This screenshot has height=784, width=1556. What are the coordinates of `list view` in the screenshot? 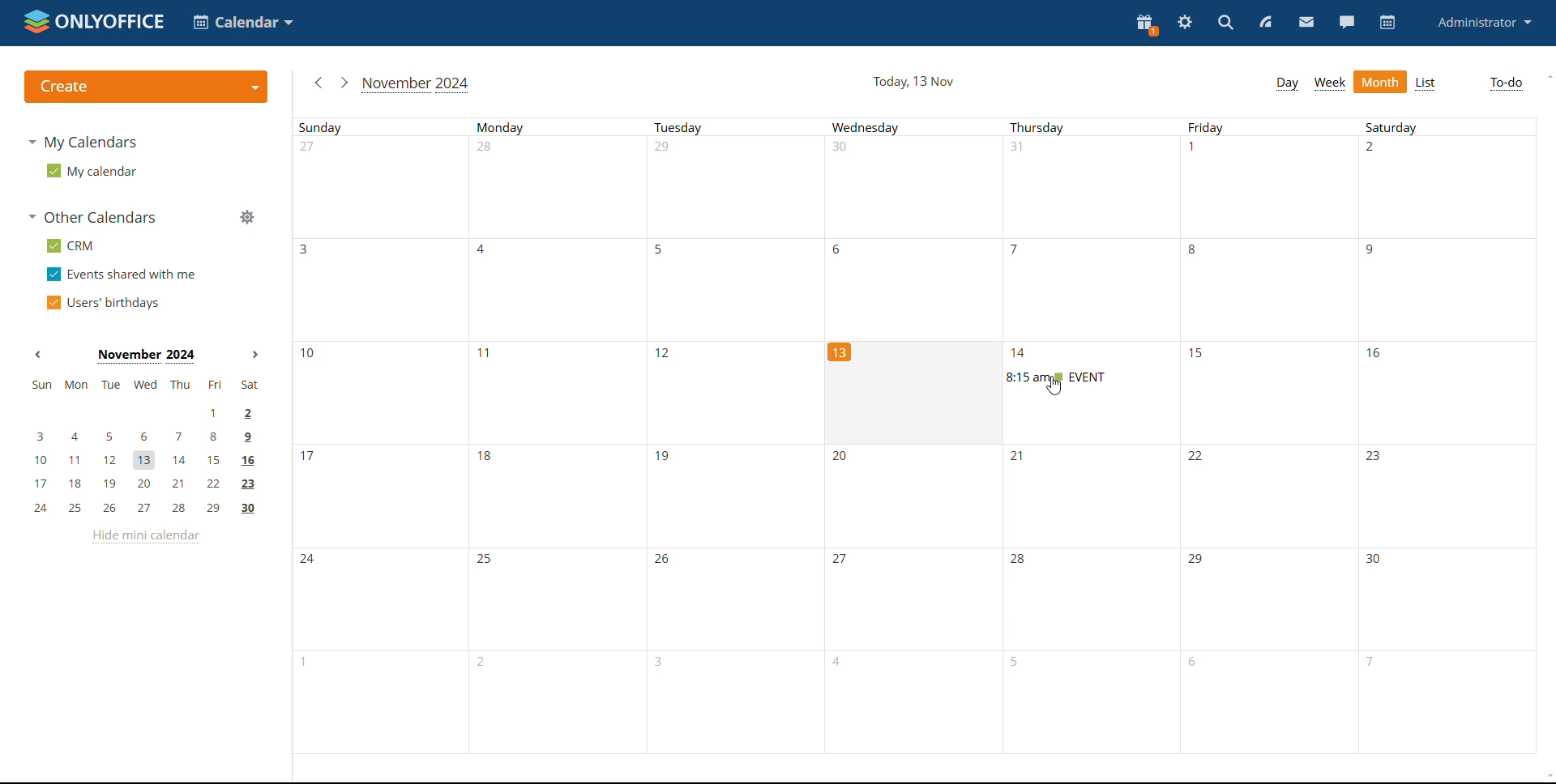 It's located at (1427, 82).